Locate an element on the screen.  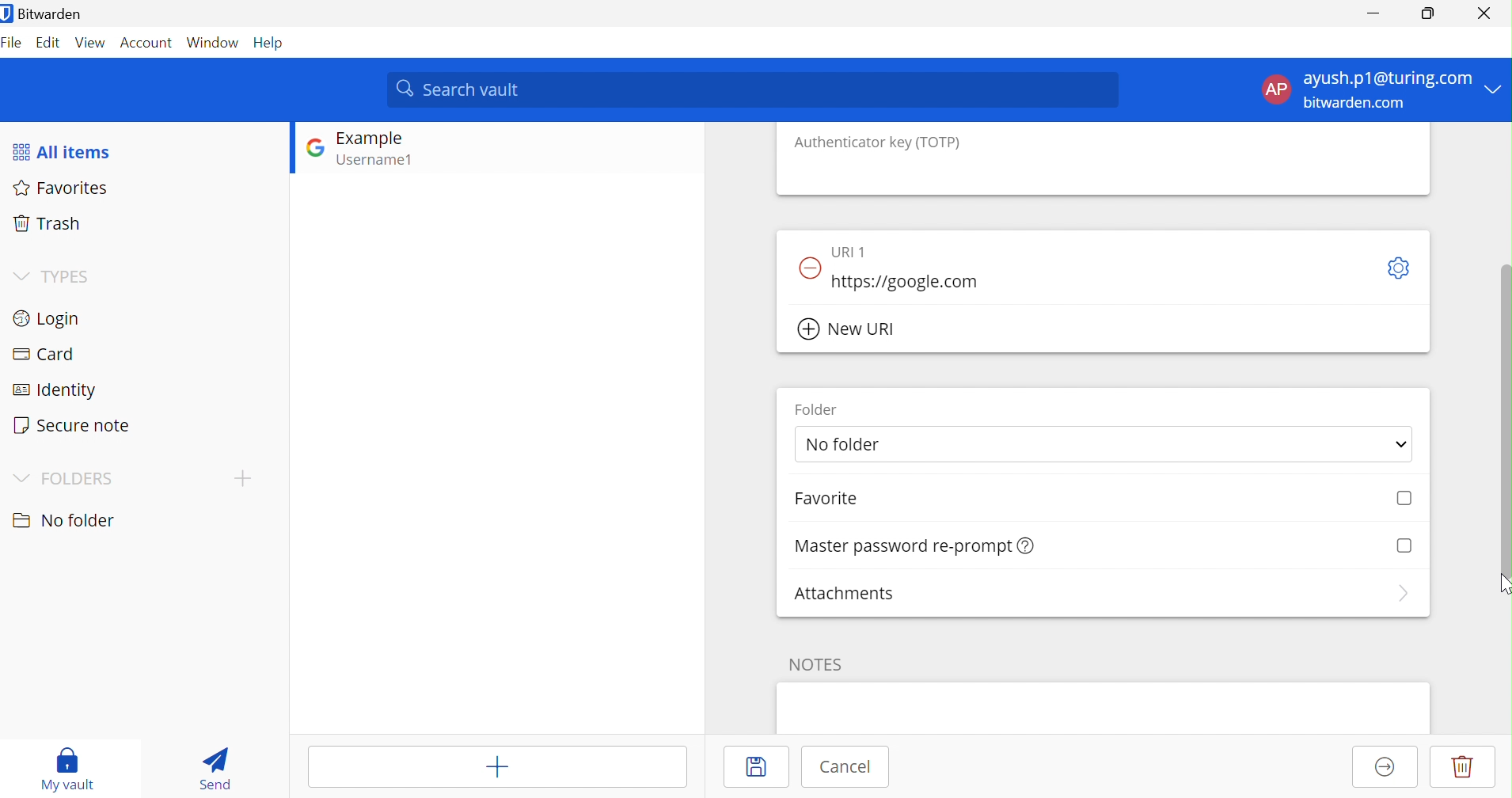
Folder is located at coordinates (814, 408).